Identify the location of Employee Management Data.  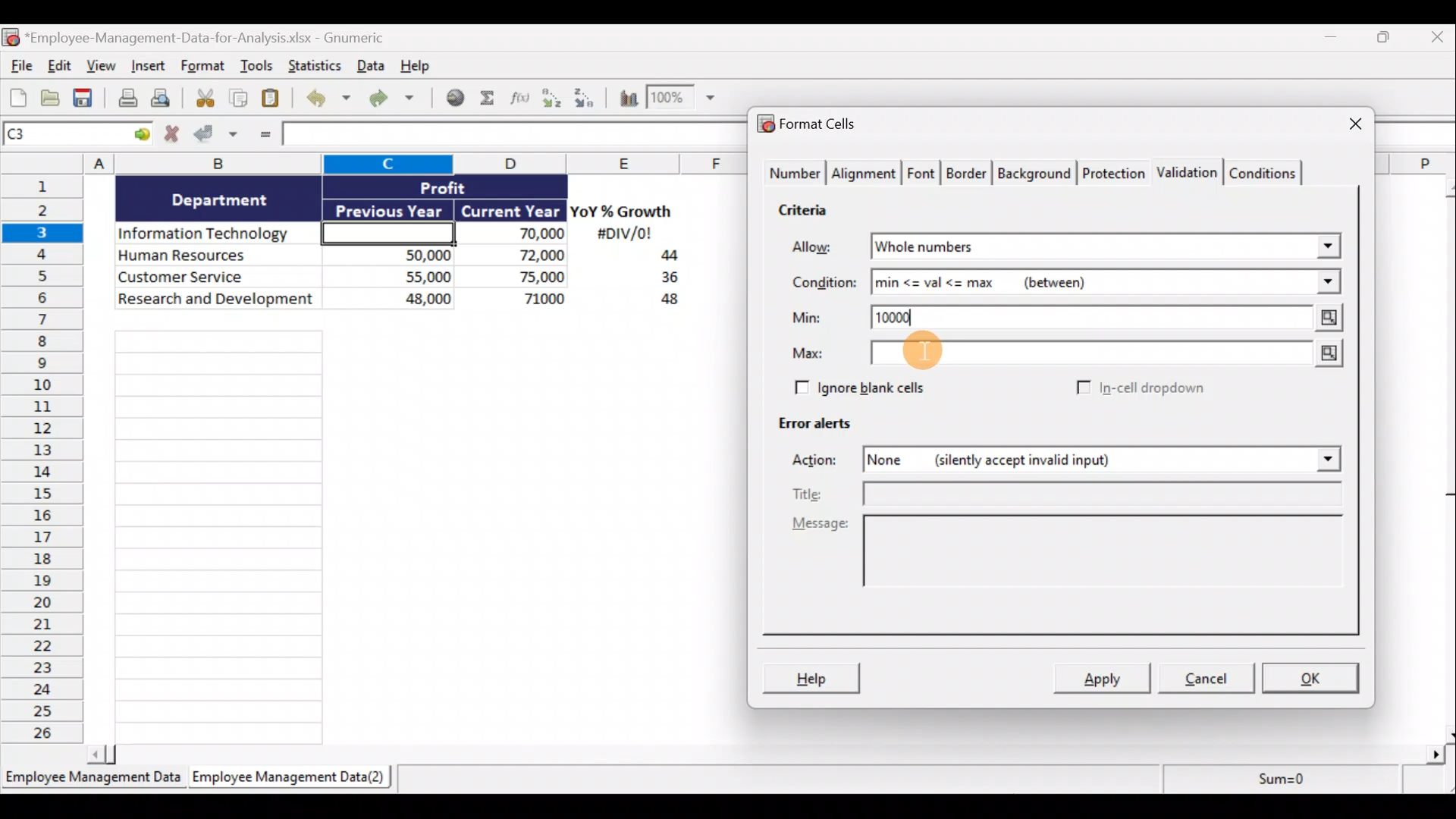
(92, 780).